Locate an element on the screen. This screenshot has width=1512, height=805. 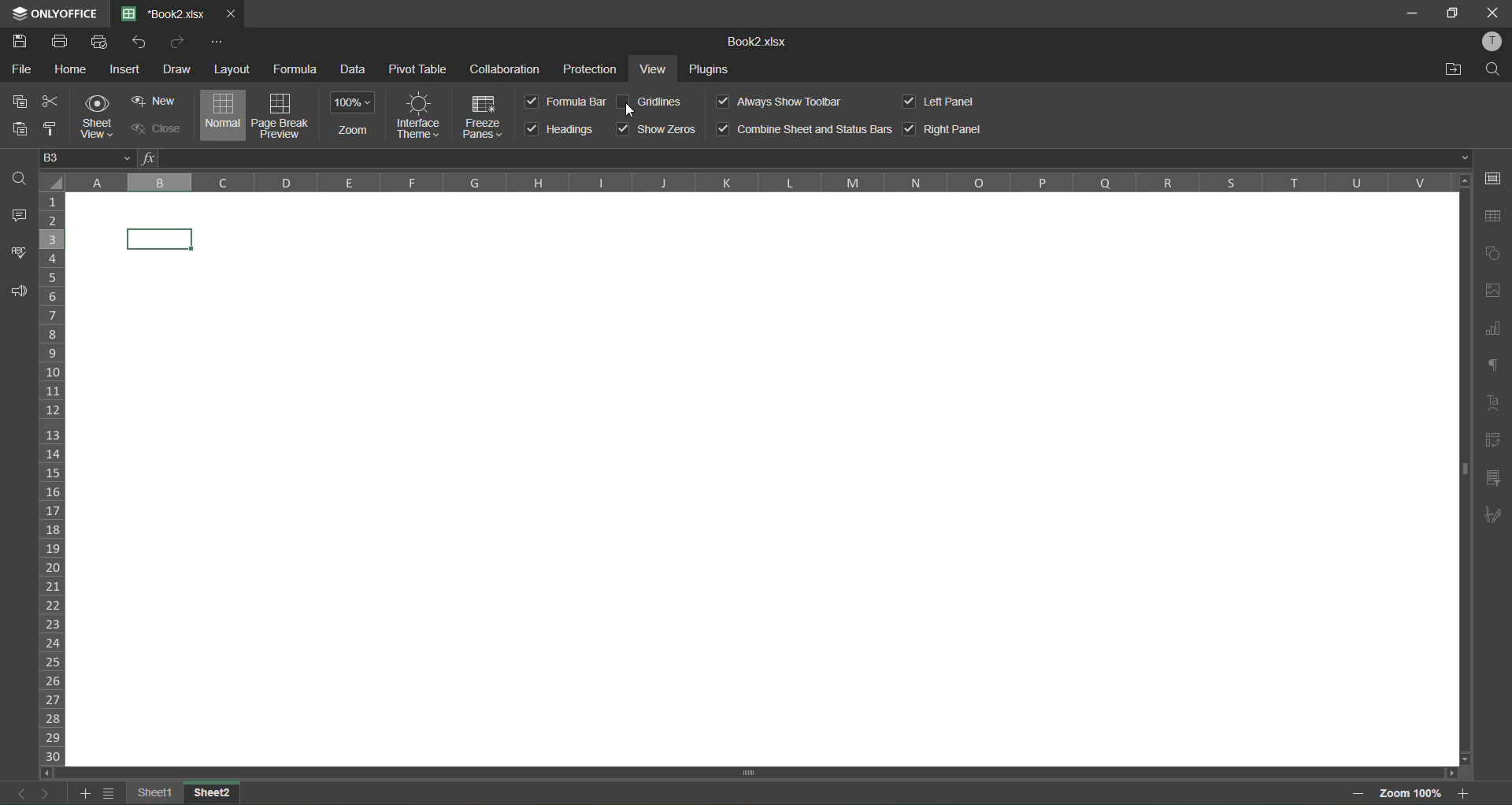
insert is located at coordinates (124, 69).